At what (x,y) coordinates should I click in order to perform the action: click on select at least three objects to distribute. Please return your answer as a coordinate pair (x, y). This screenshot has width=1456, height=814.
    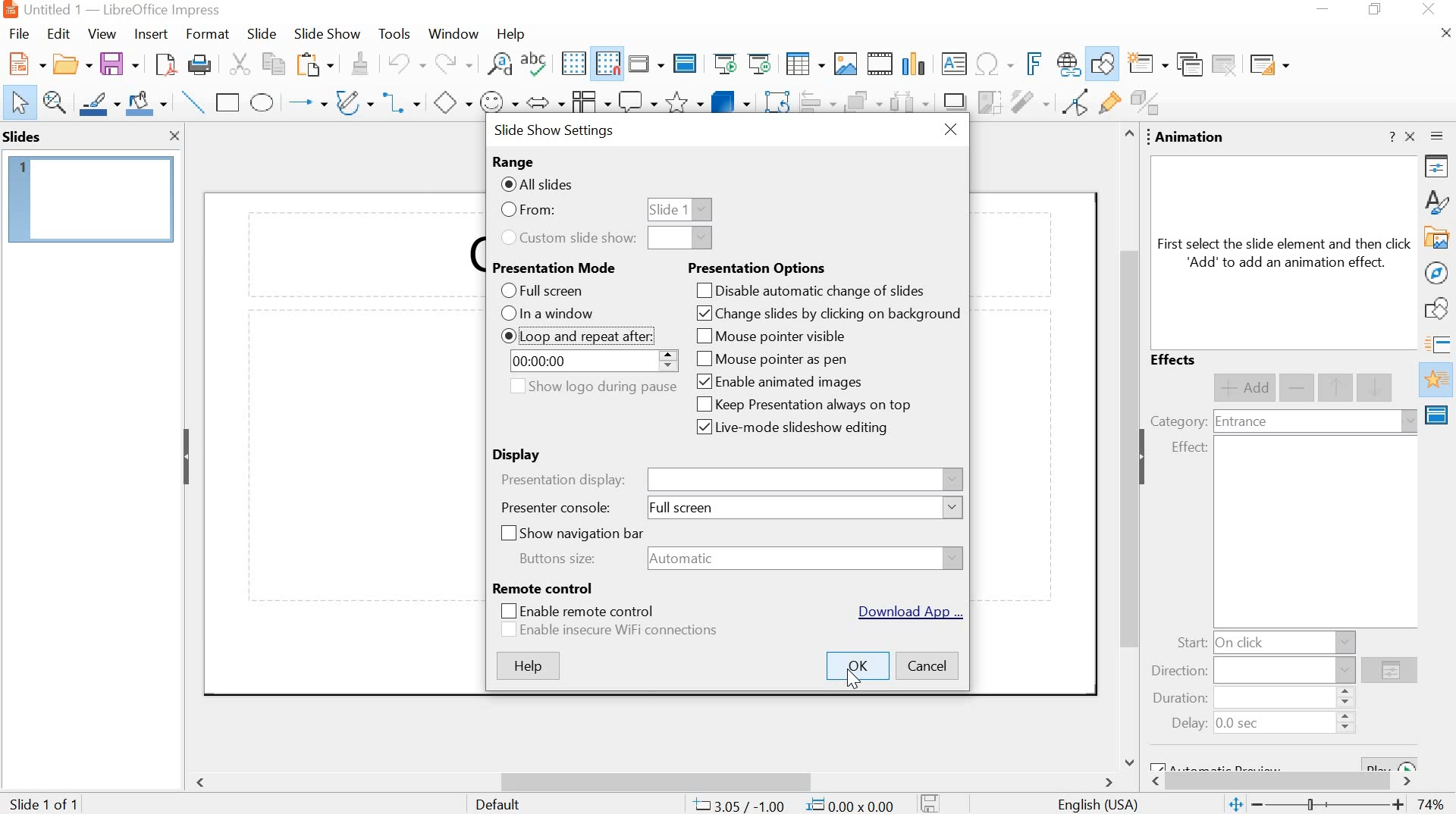
    Looking at the image, I should click on (908, 104).